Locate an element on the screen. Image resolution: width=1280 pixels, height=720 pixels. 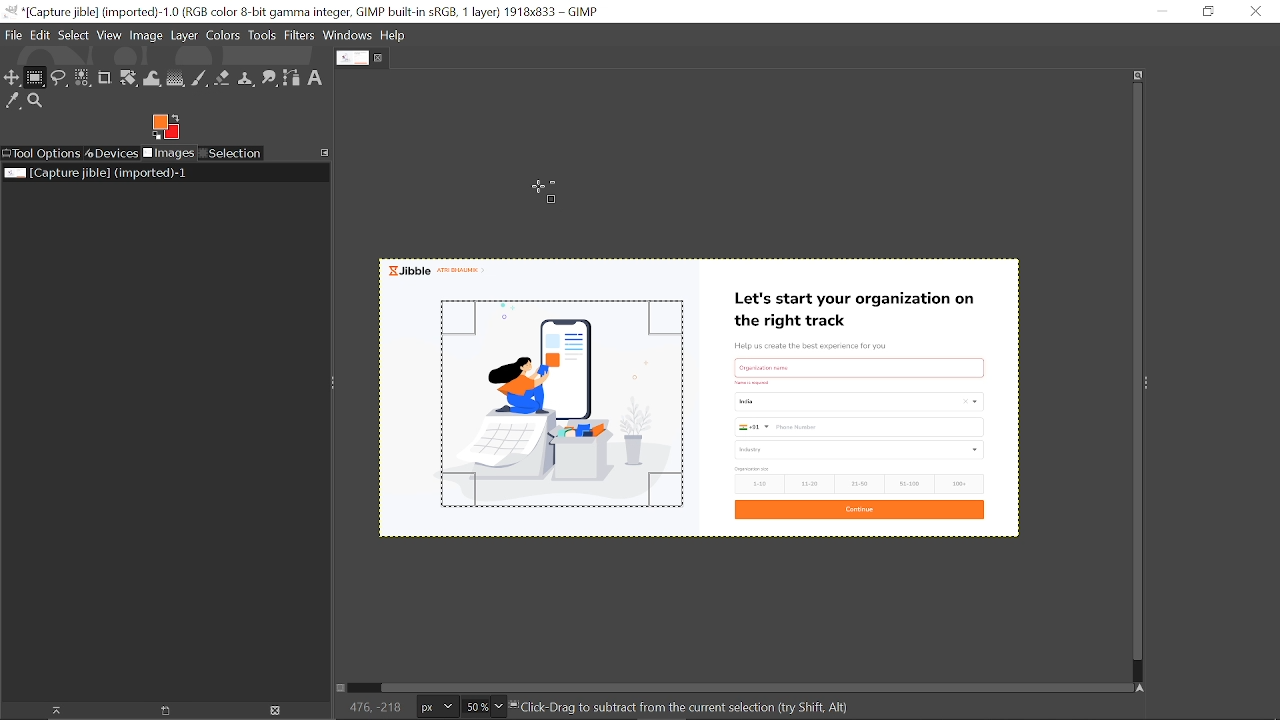
text is located at coordinates (860, 365).